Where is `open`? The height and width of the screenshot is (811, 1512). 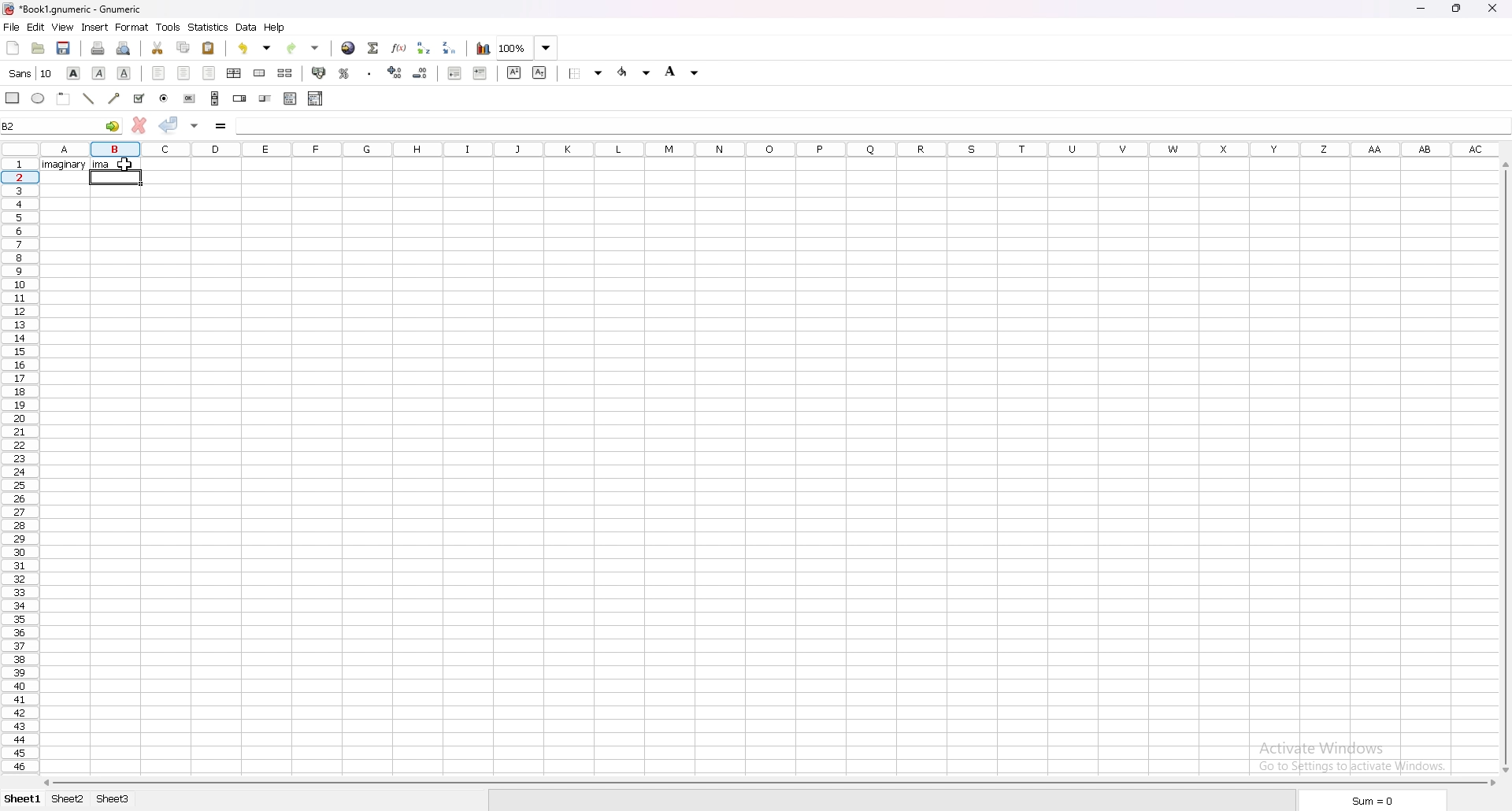 open is located at coordinates (37, 49).